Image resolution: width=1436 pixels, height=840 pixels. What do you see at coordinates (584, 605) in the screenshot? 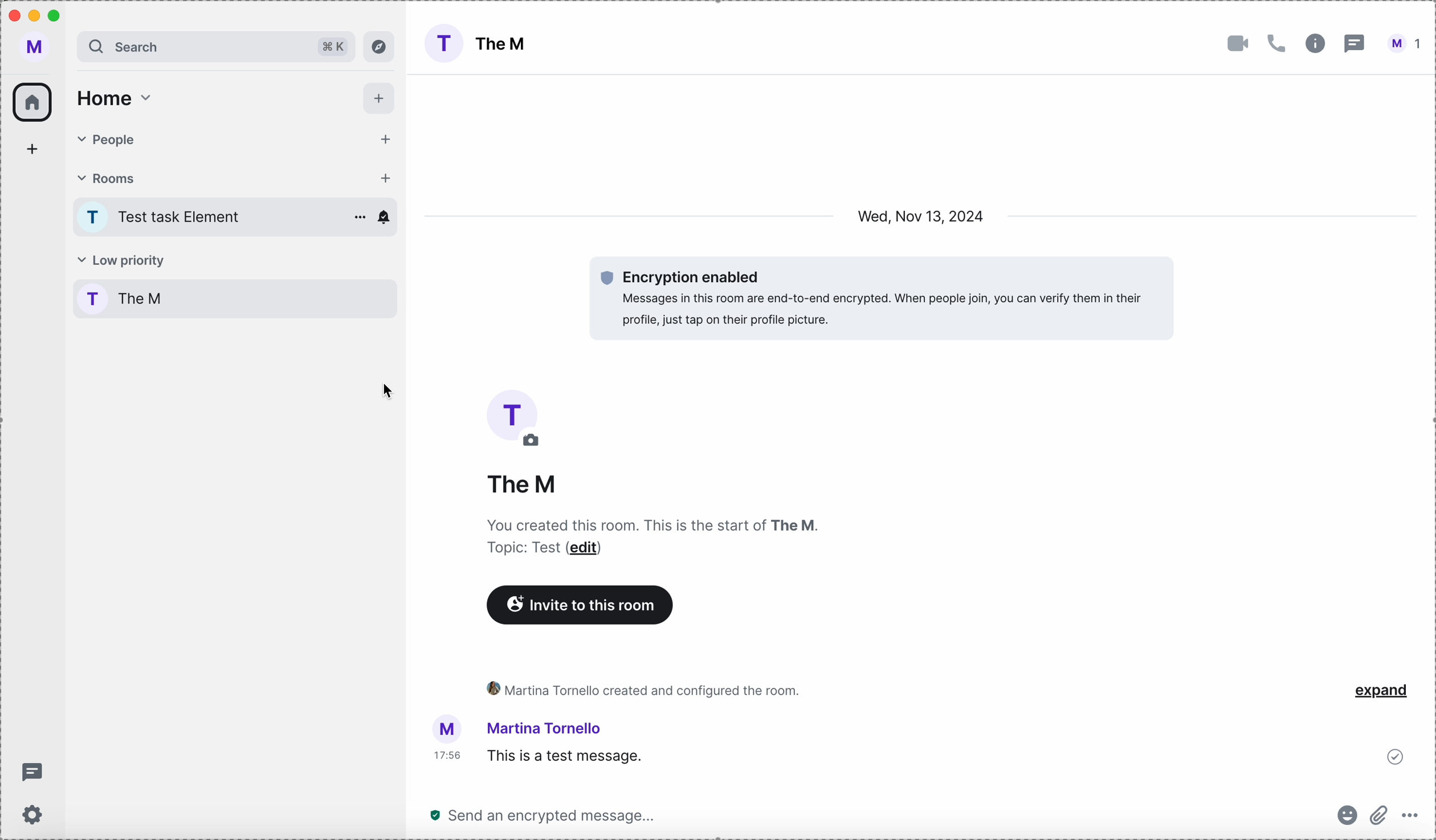
I see `invite to this room button` at bounding box center [584, 605].